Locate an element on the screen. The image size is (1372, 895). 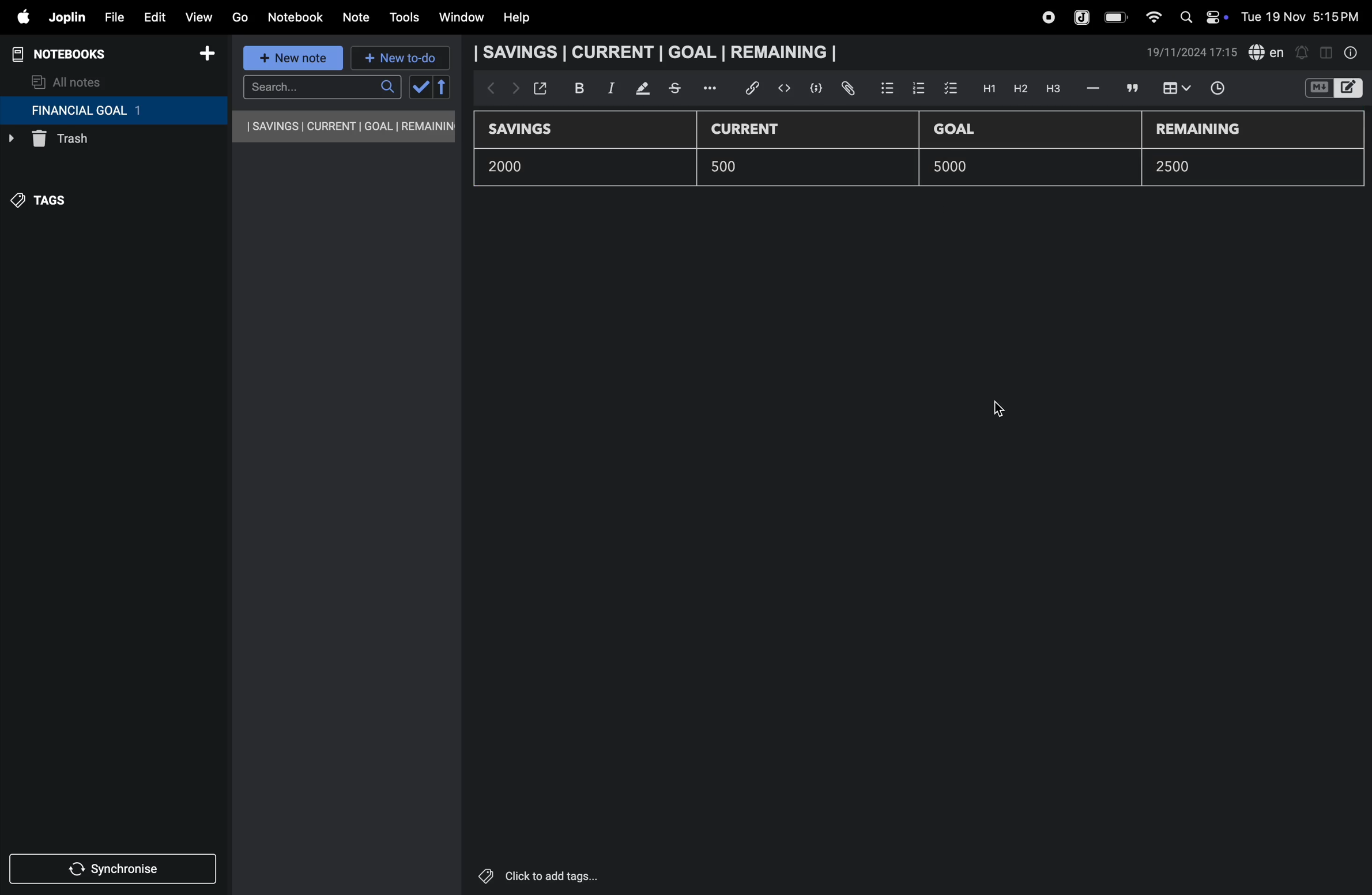
help is located at coordinates (525, 18).